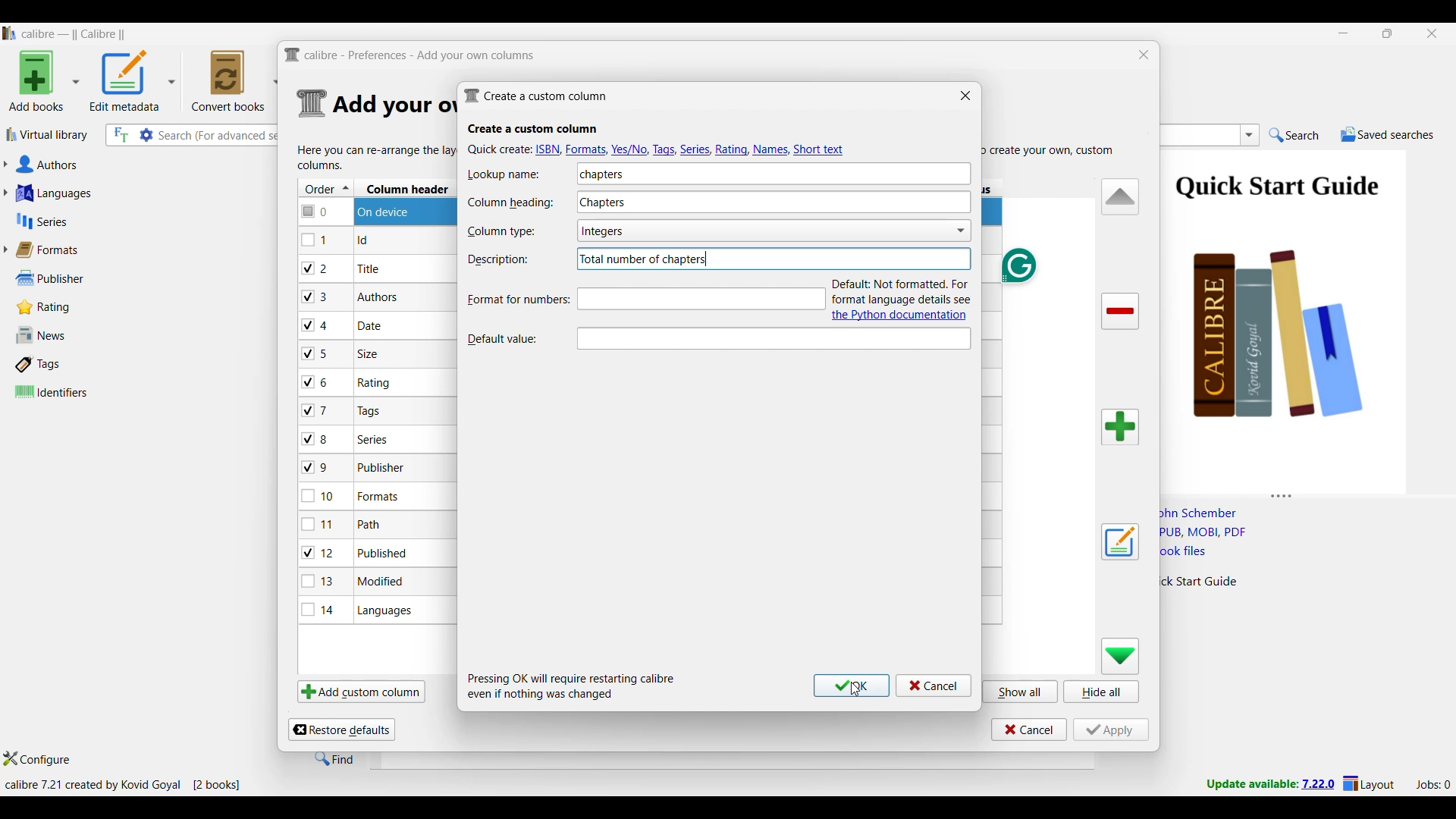  Describe the element at coordinates (10, 33) in the screenshot. I see `Software logo` at that location.